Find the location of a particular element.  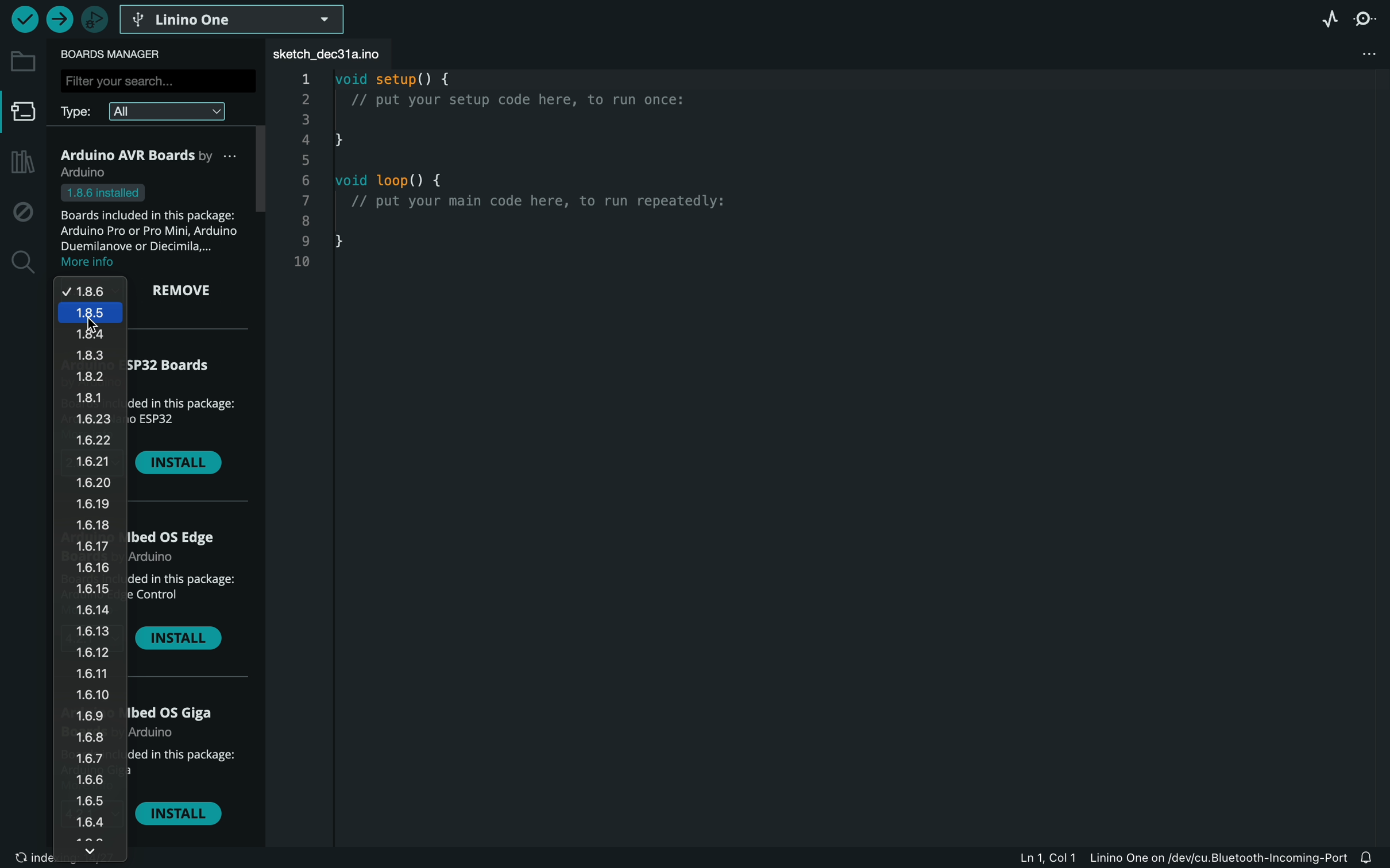

ESP32 boards is located at coordinates (179, 371).